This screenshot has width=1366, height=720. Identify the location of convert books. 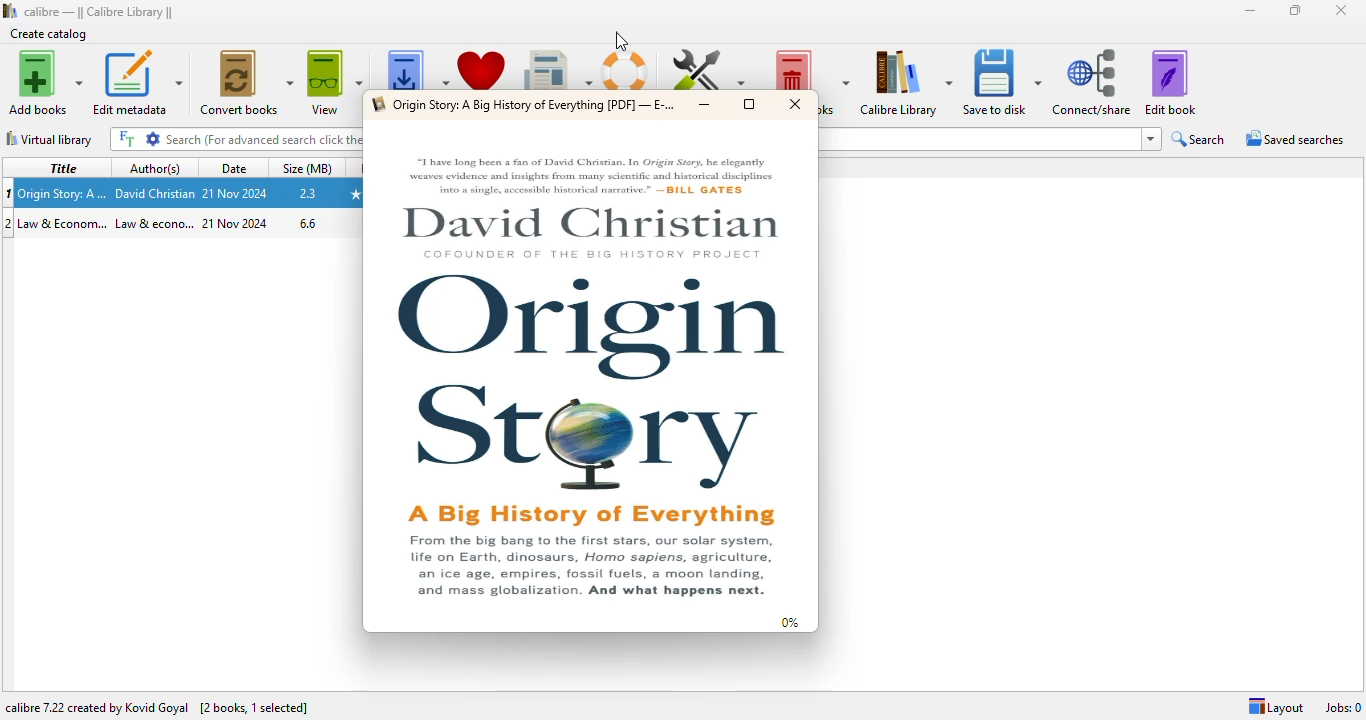
(246, 83).